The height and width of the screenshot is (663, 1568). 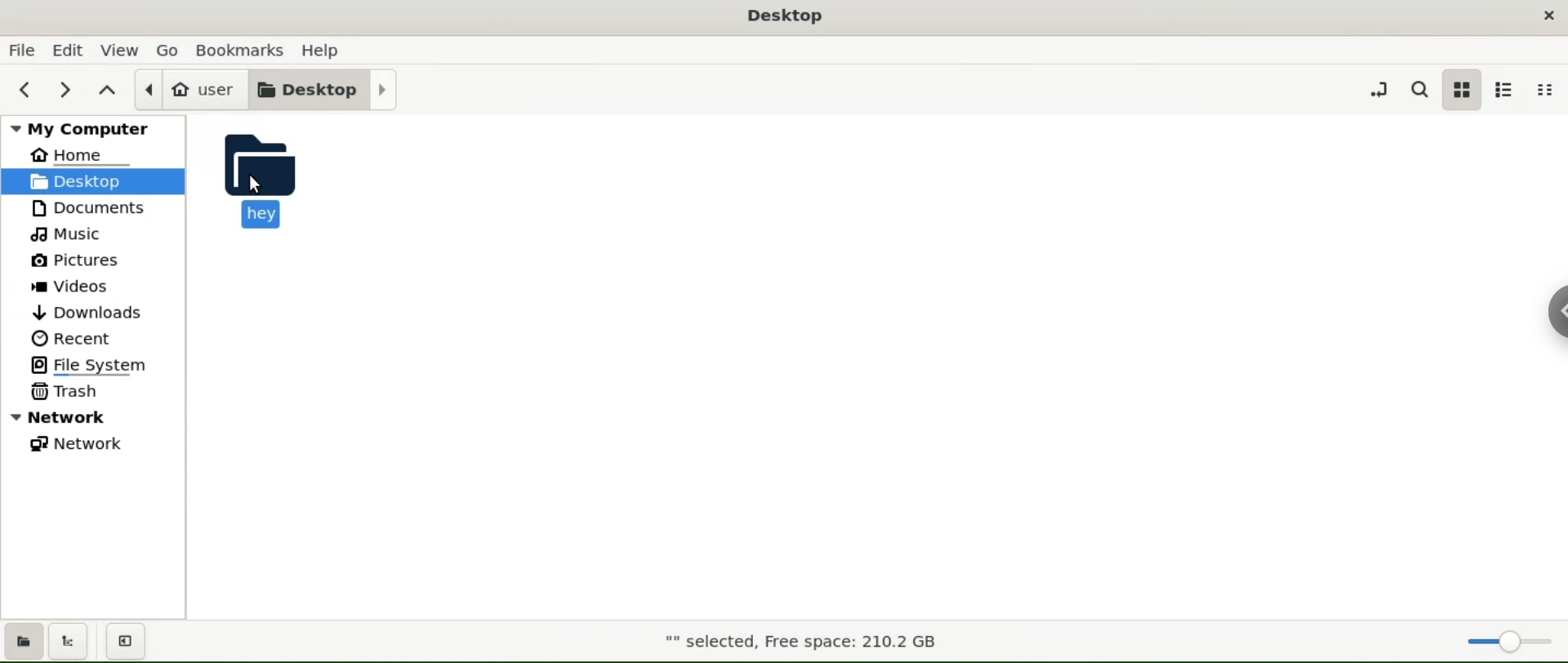 What do you see at coordinates (129, 642) in the screenshot?
I see `hide the sidebar` at bounding box center [129, 642].